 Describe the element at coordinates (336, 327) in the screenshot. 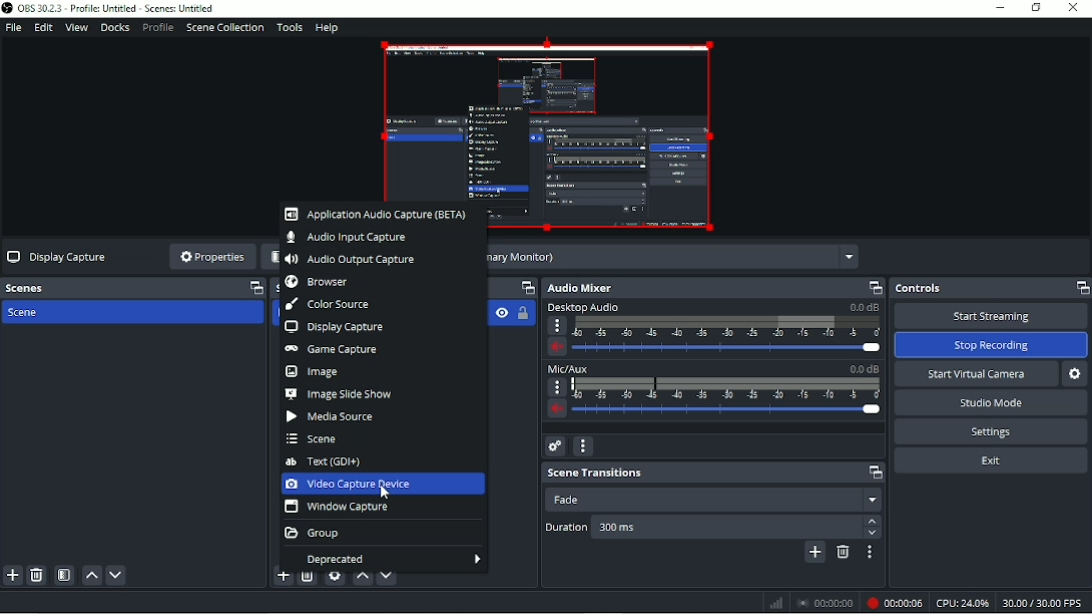

I see `Display capture` at that location.